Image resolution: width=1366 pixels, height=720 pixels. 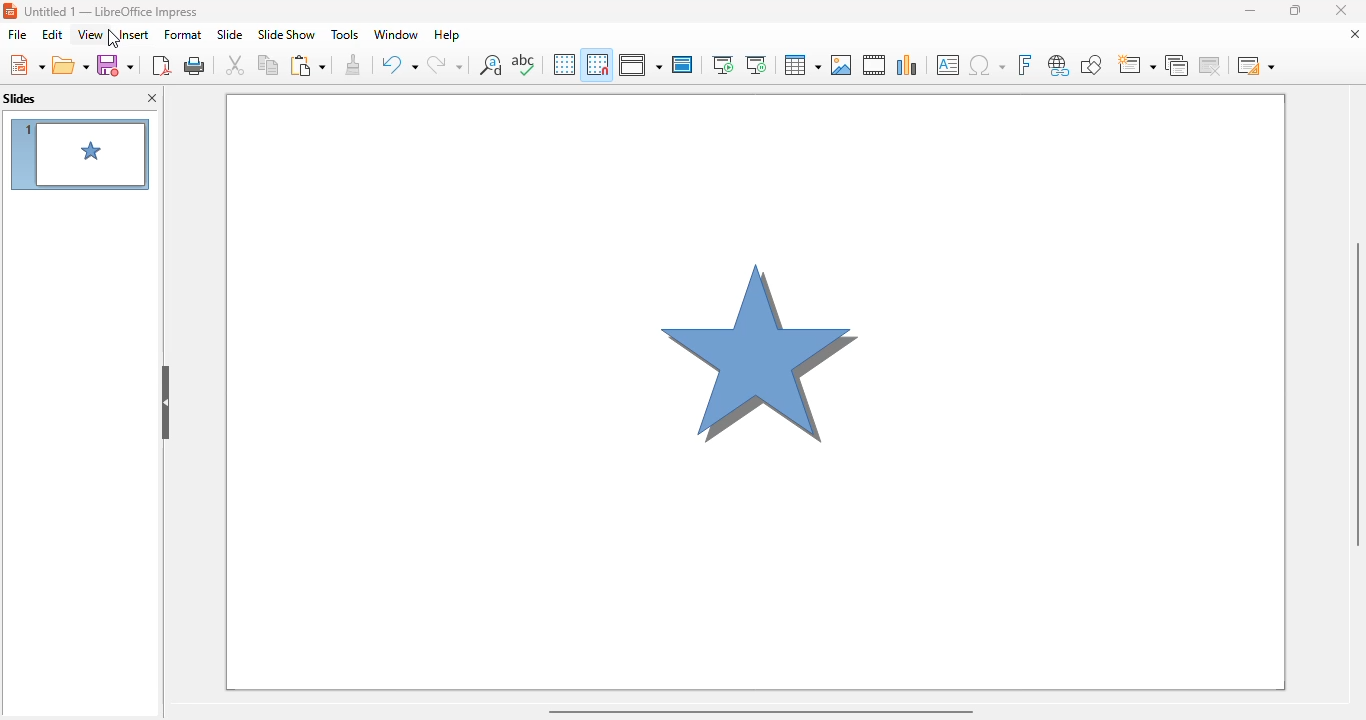 What do you see at coordinates (307, 65) in the screenshot?
I see `paste` at bounding box center [307, 65].